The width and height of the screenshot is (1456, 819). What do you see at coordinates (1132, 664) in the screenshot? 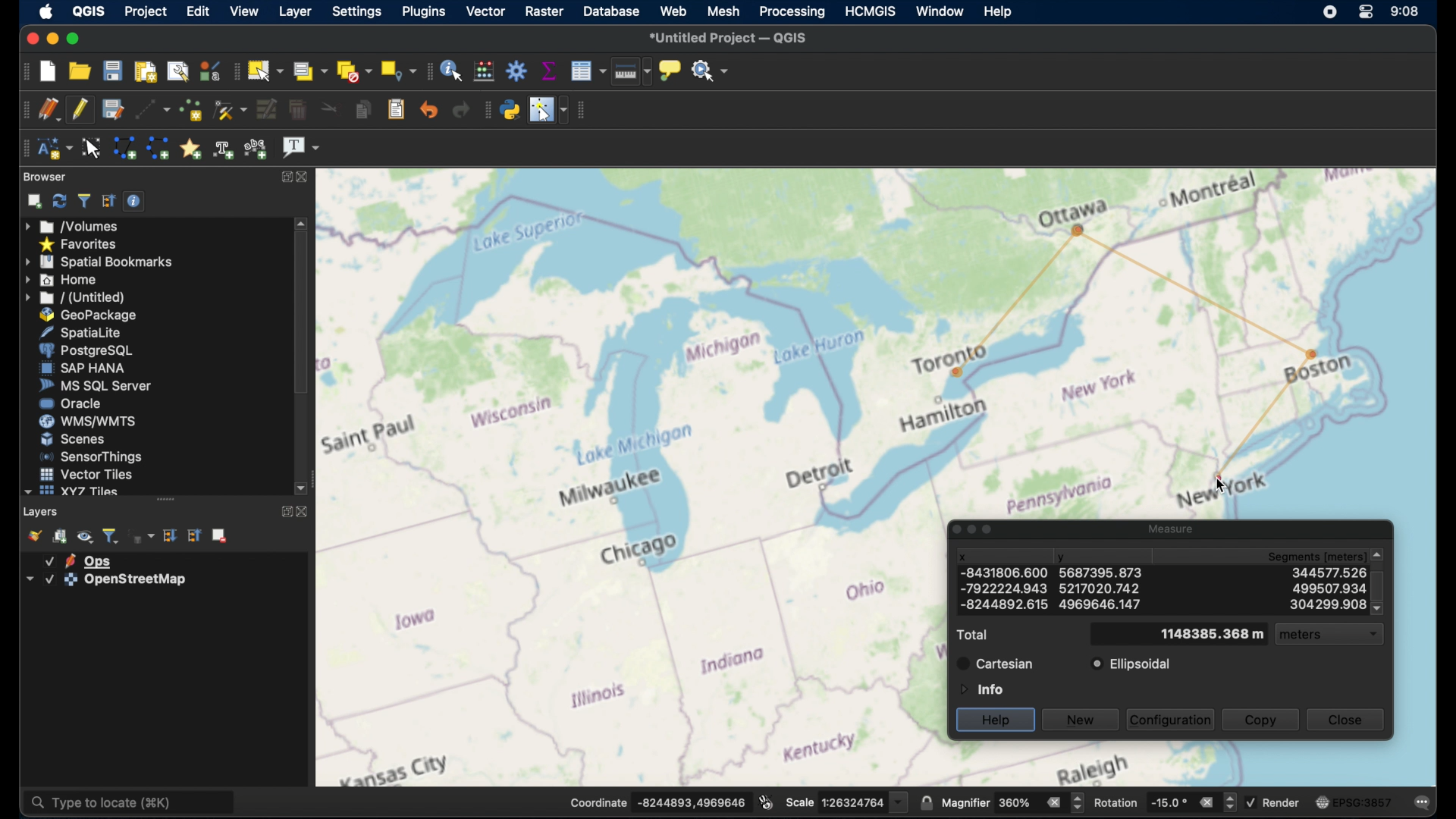
I see `ellipsoidal` at bounding box center [1132, 664].